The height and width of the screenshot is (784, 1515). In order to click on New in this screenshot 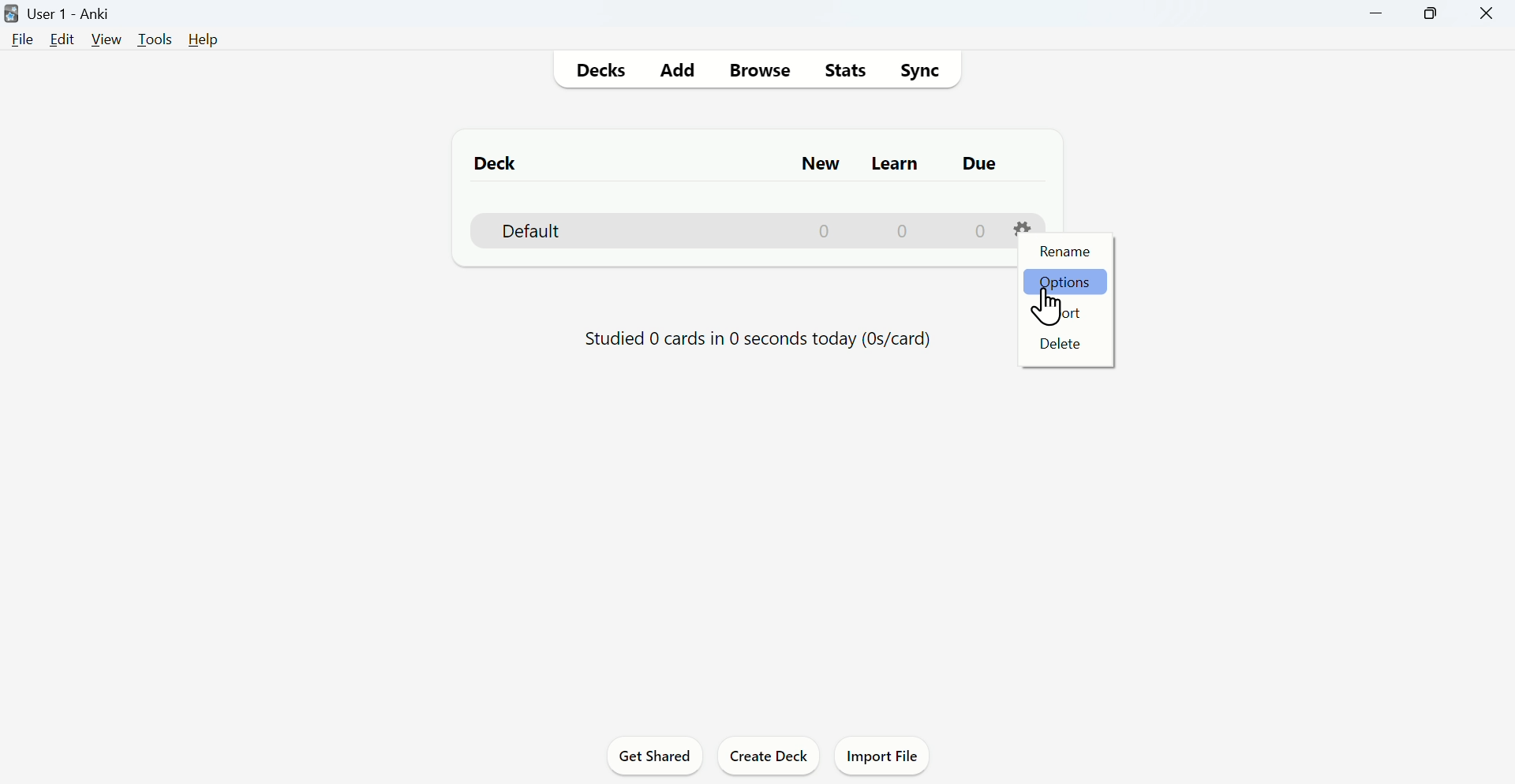, I will do `click(818, 164)`.